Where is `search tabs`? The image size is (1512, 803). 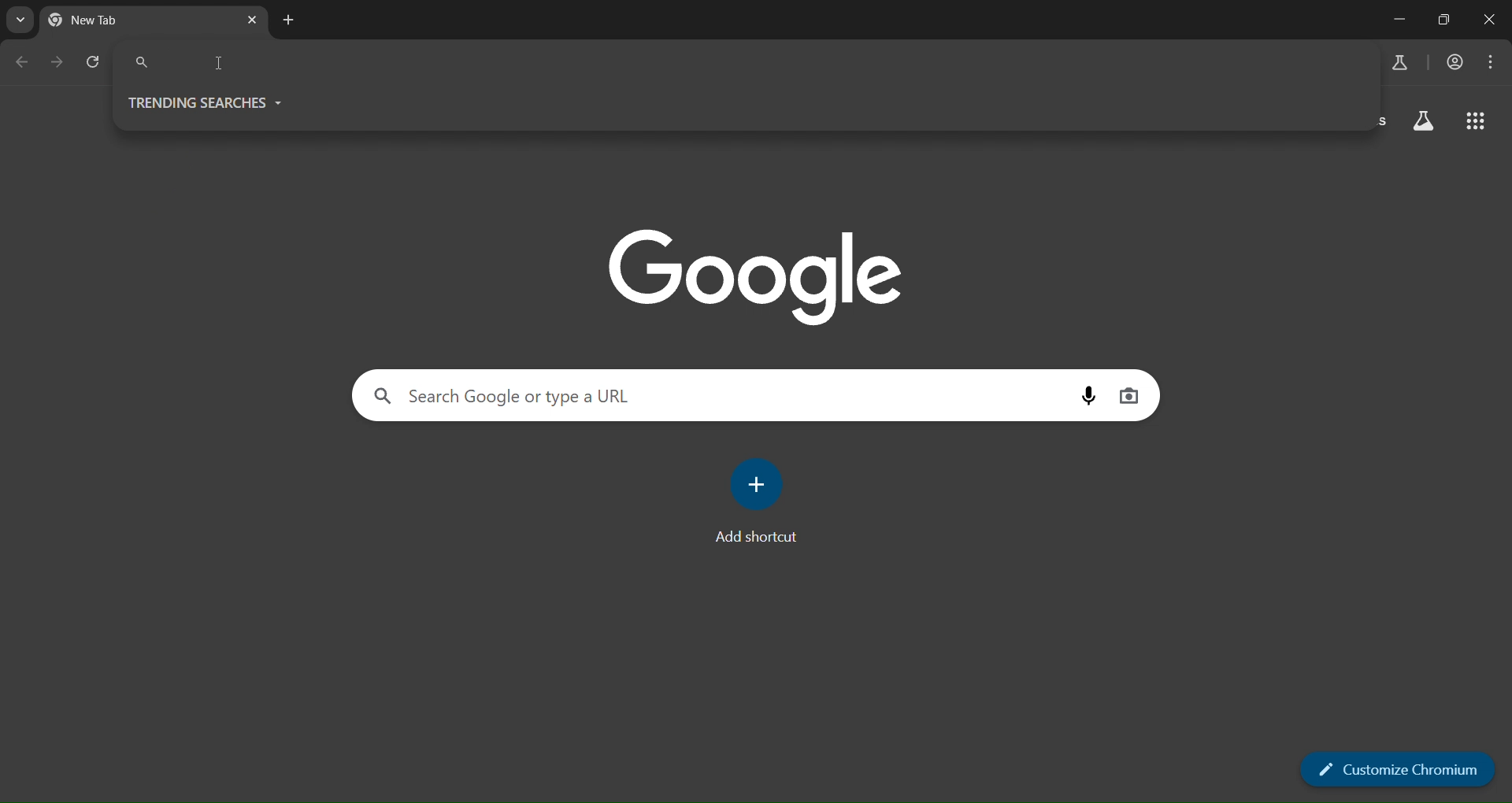 search tabs is located at coordinates (20, 22).